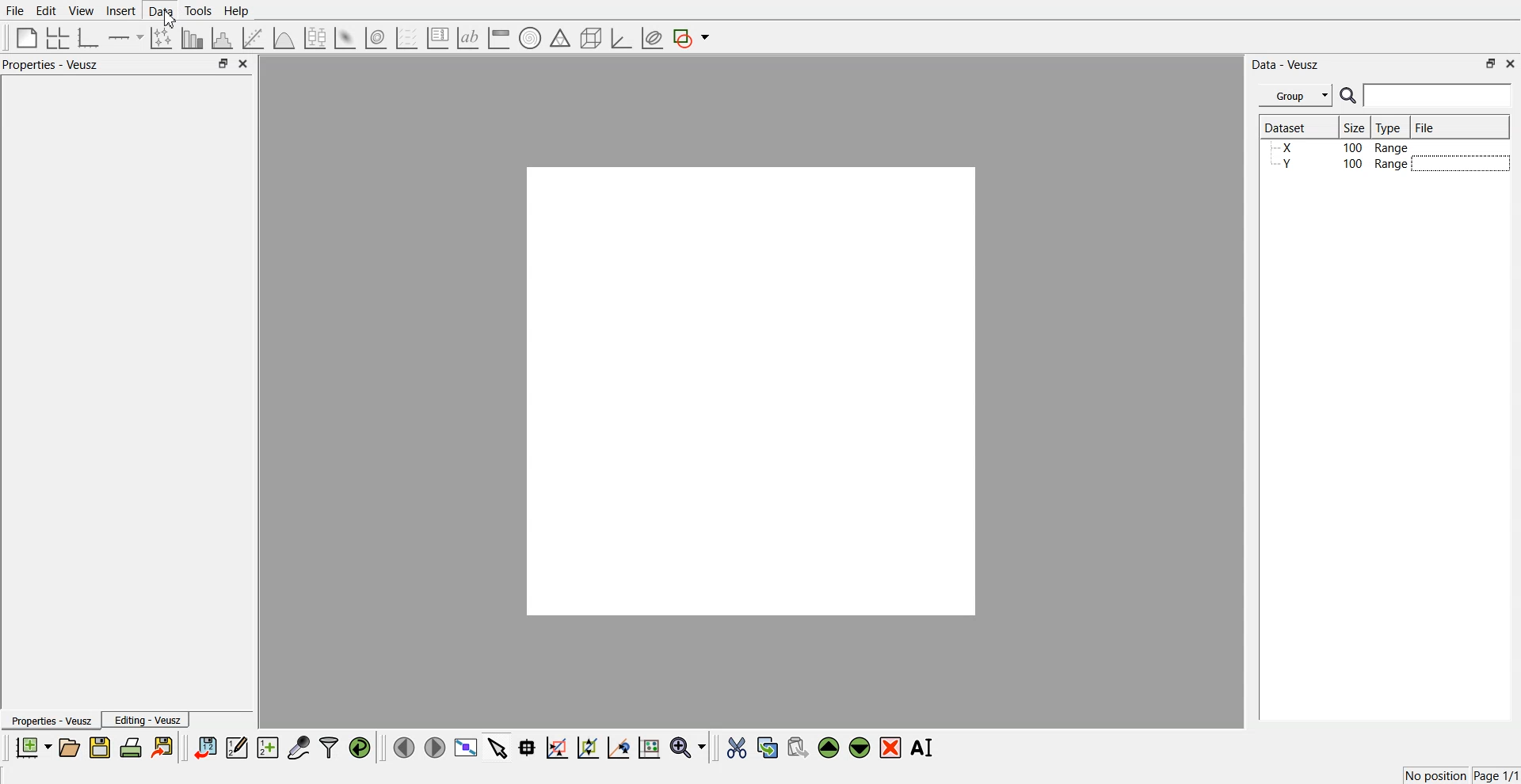  I want to click on Group, so click(1296, 96).